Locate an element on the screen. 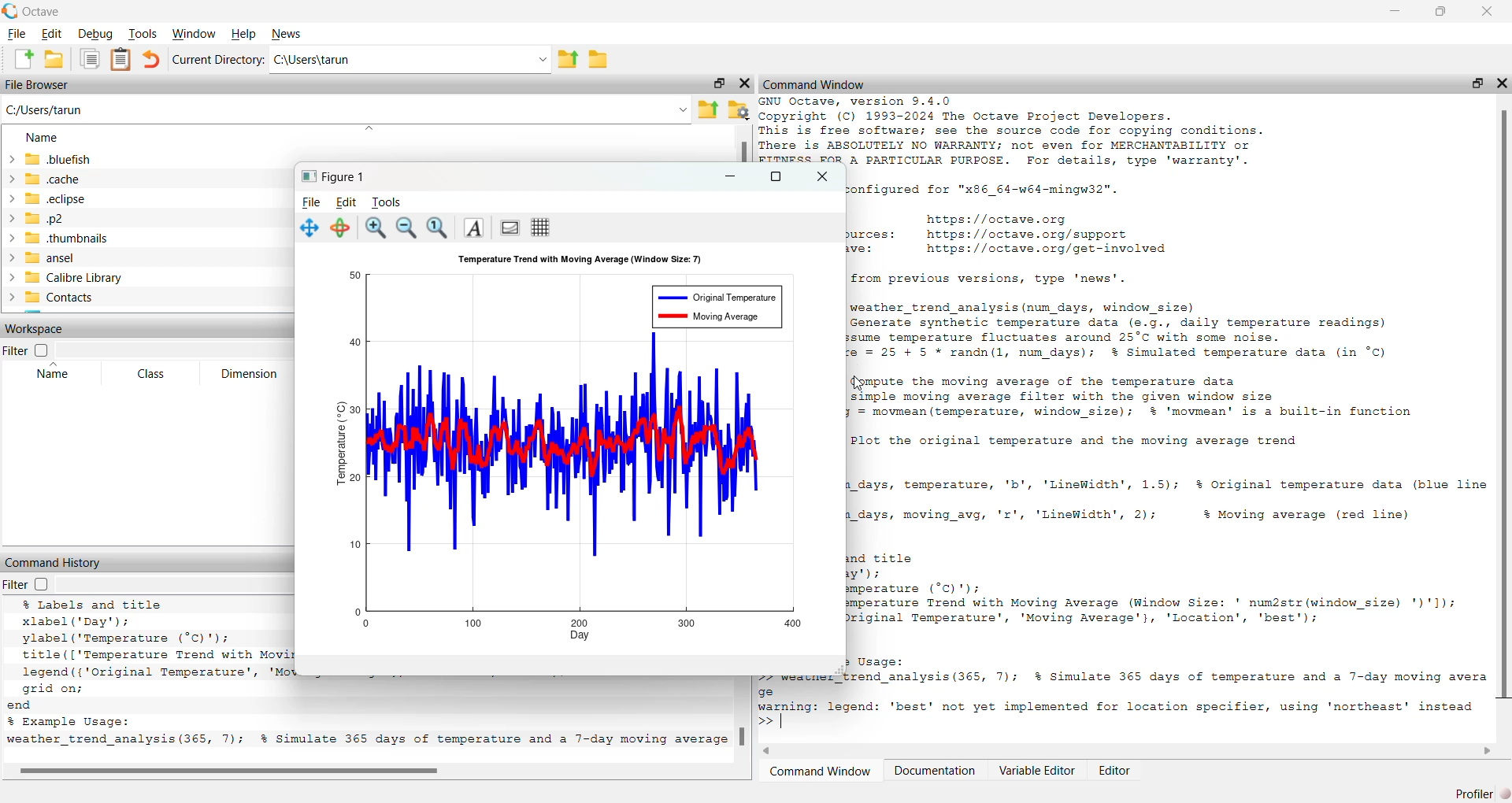 Image resolution: width=1512 pixels, height=803 pixels. Command History is located at coordinates (54, 561).